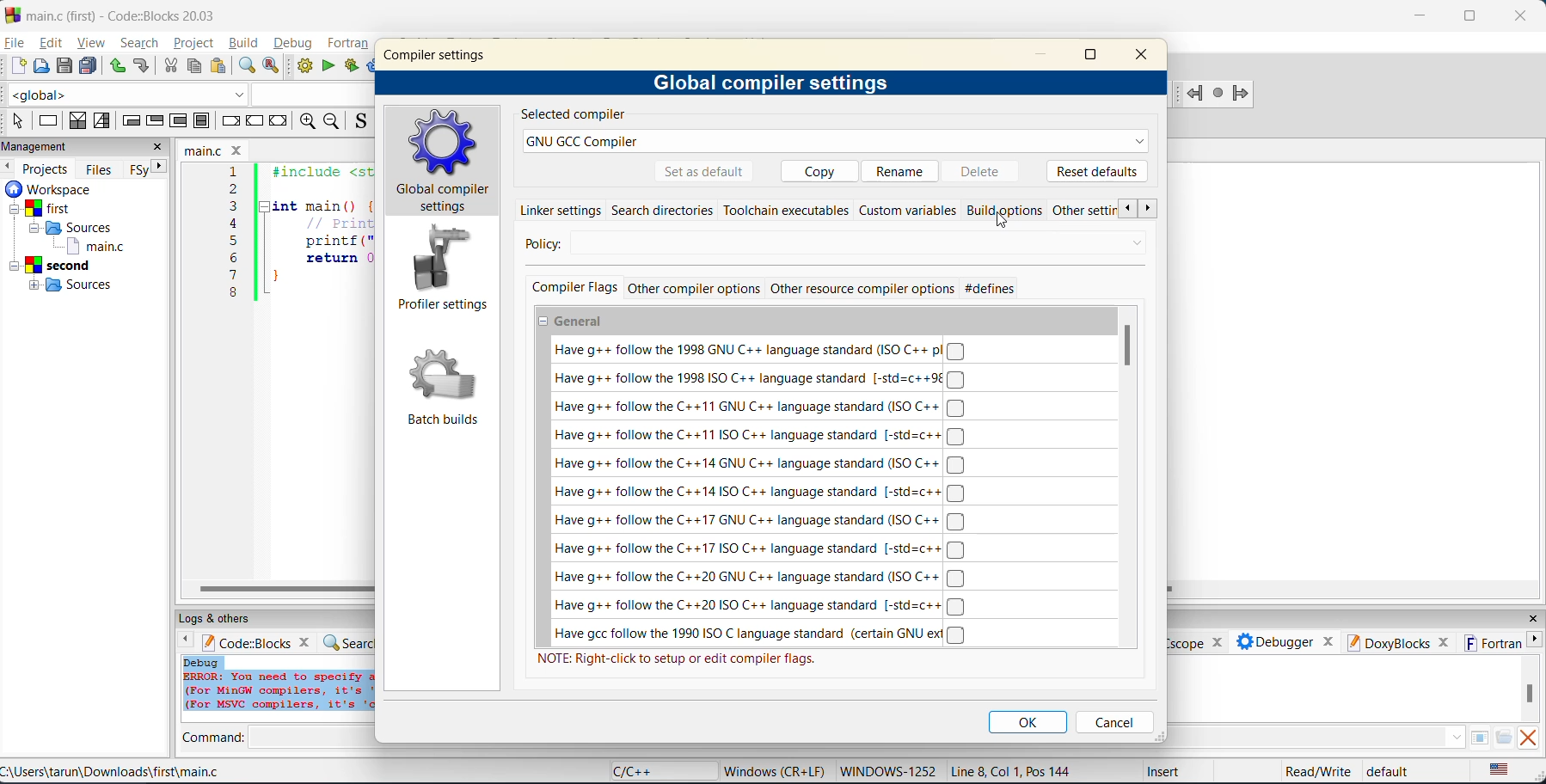 This screenshot has width=1546, height=784. What do you see at coordinates (814, 170) in the screenshot?
I see `copy` at bounding box center [814, 170].